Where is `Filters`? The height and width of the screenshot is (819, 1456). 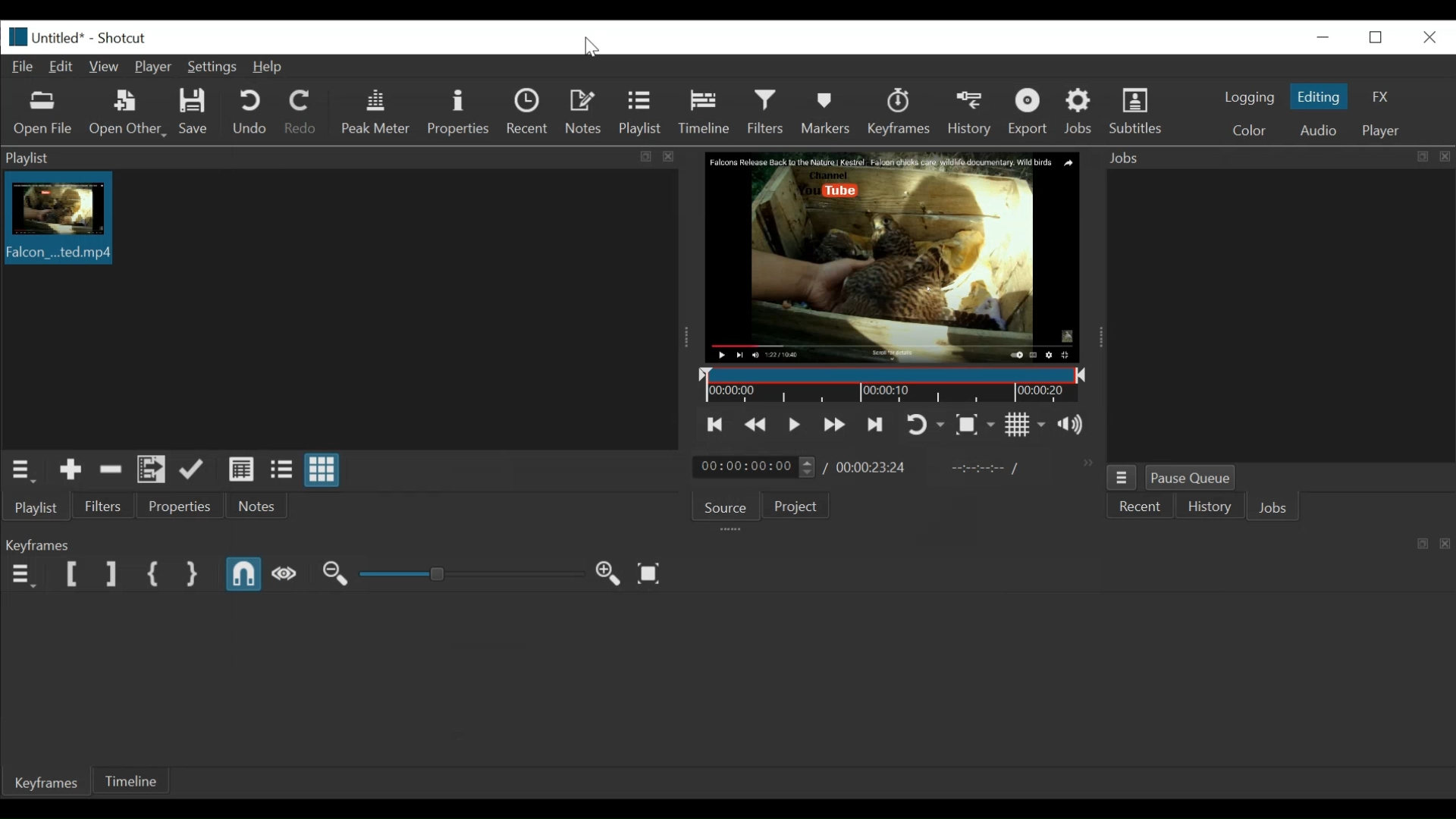 Filters is located at coordinates (767, 114).